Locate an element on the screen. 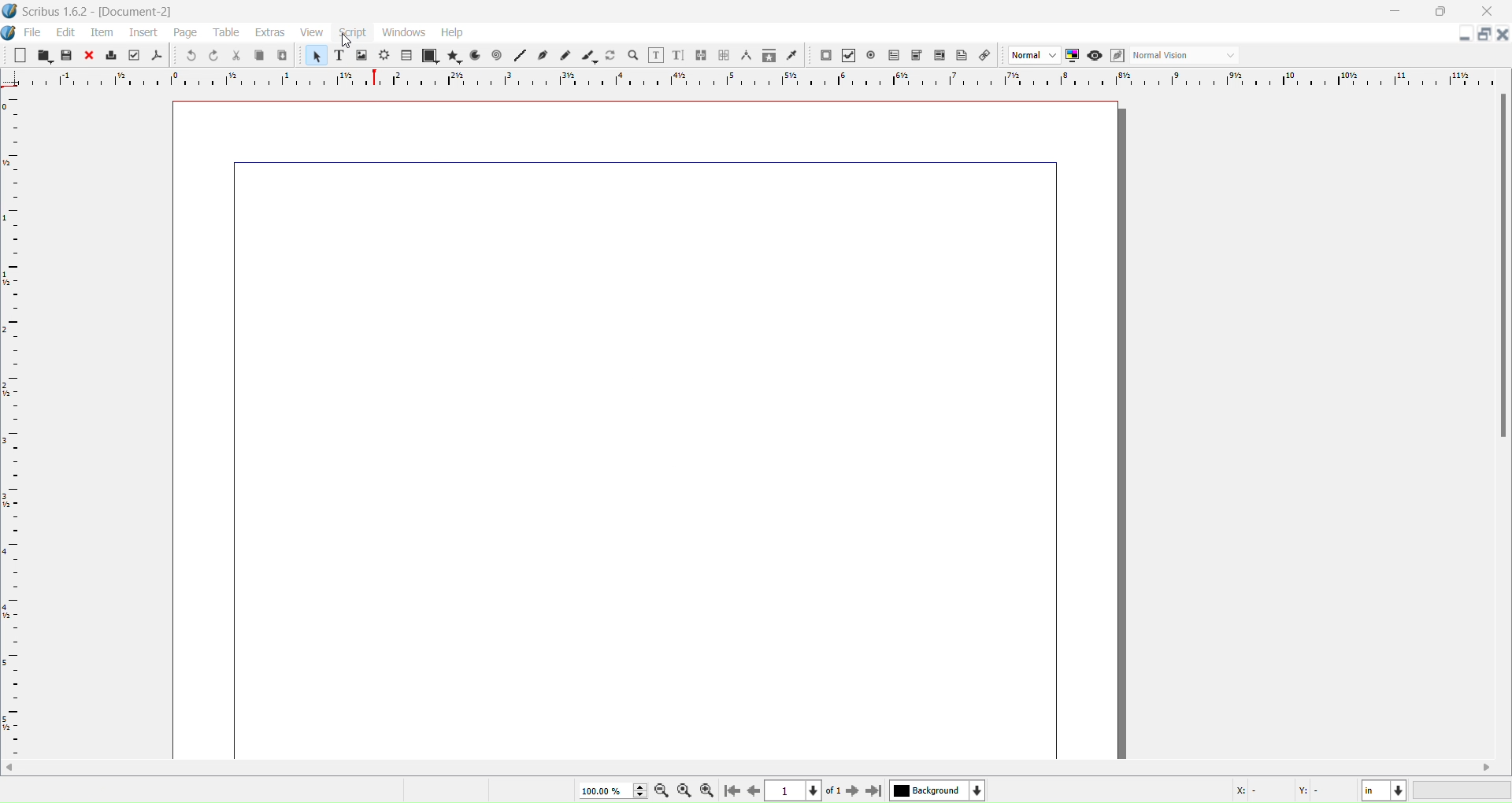 Image resolution: width=1512 pixels, height=803 pixels. Go to the last page is located at coordinates (876, 790).